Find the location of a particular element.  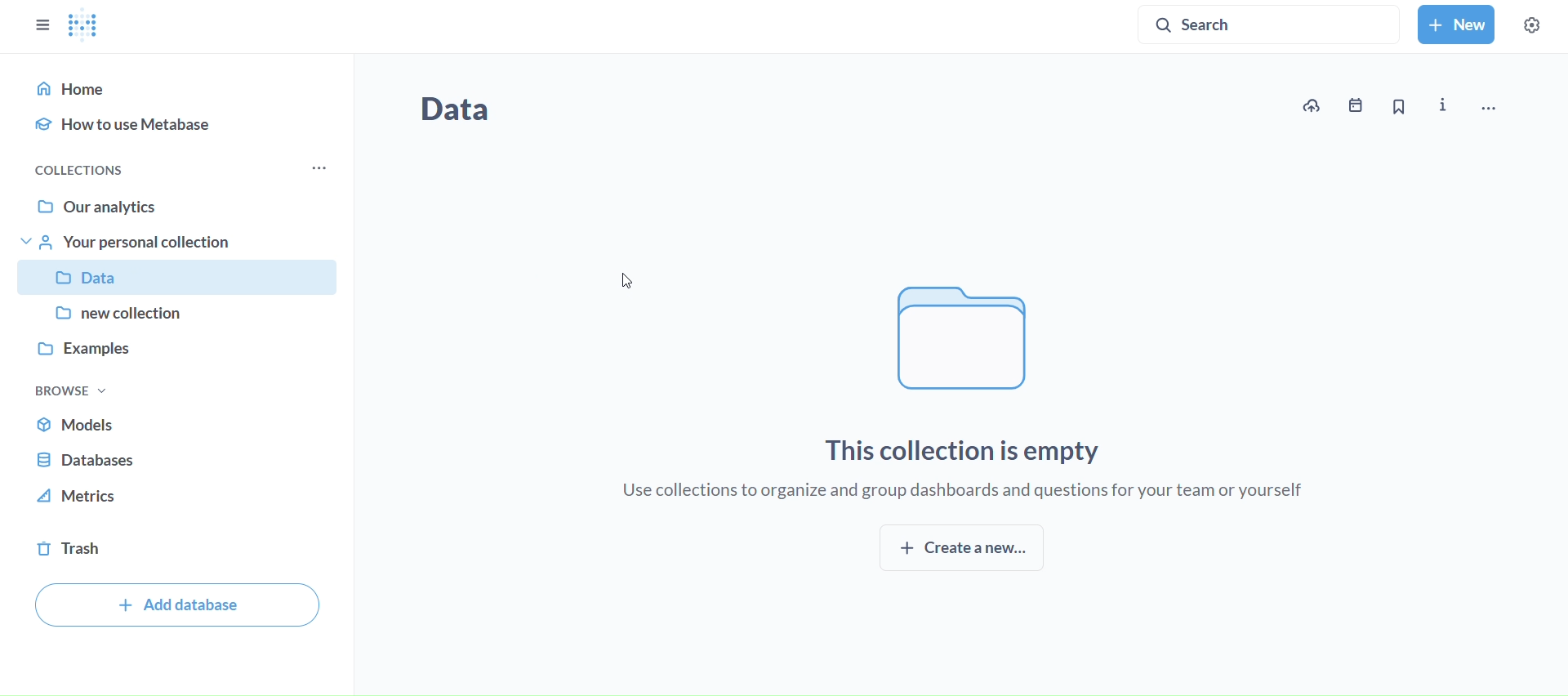

close sidebar is located at coordinates (45, 25).